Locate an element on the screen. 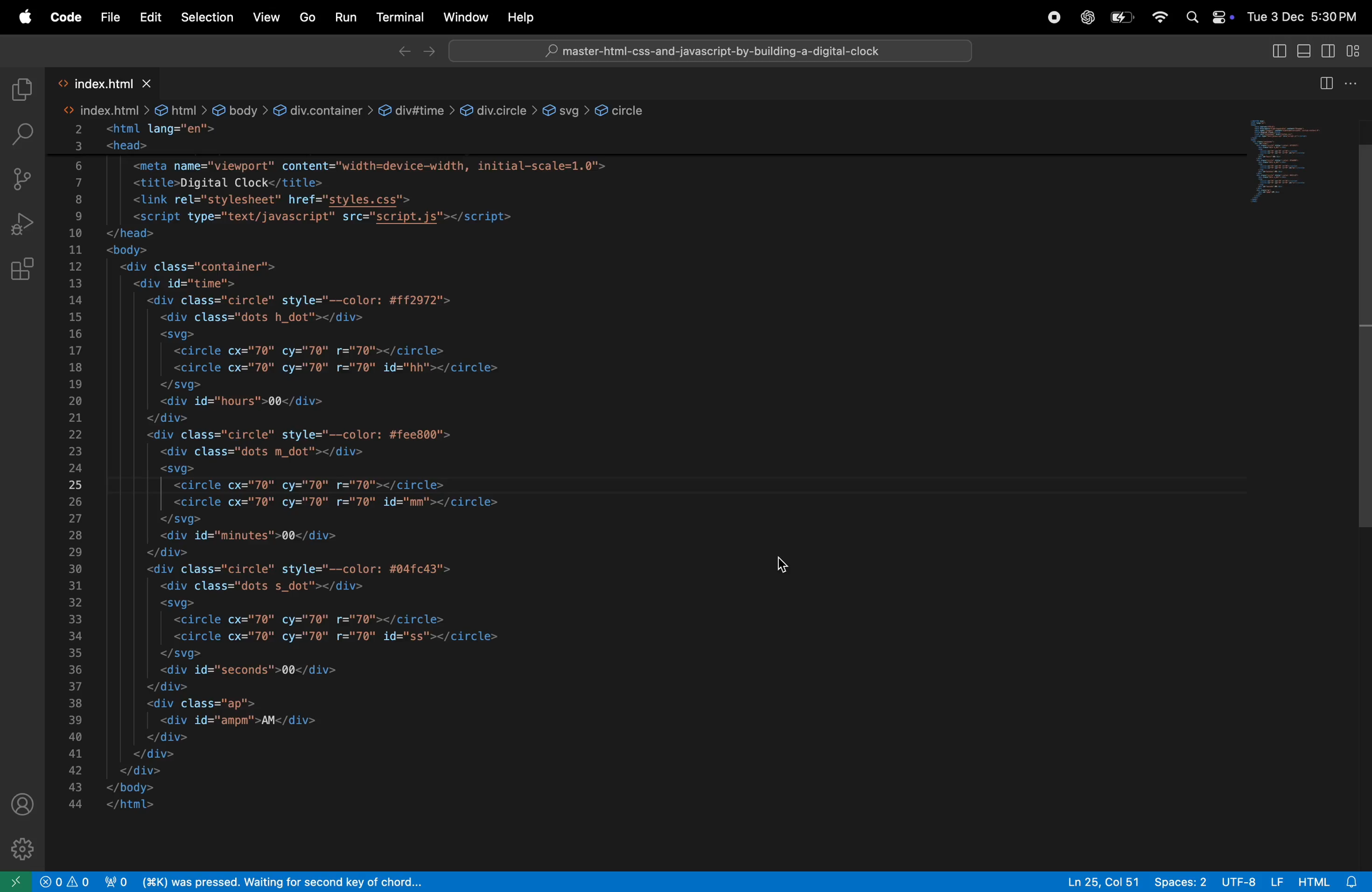 The width and height of the screenshot is (1372, 892). Split editor is located at coordinates (1324, 80).